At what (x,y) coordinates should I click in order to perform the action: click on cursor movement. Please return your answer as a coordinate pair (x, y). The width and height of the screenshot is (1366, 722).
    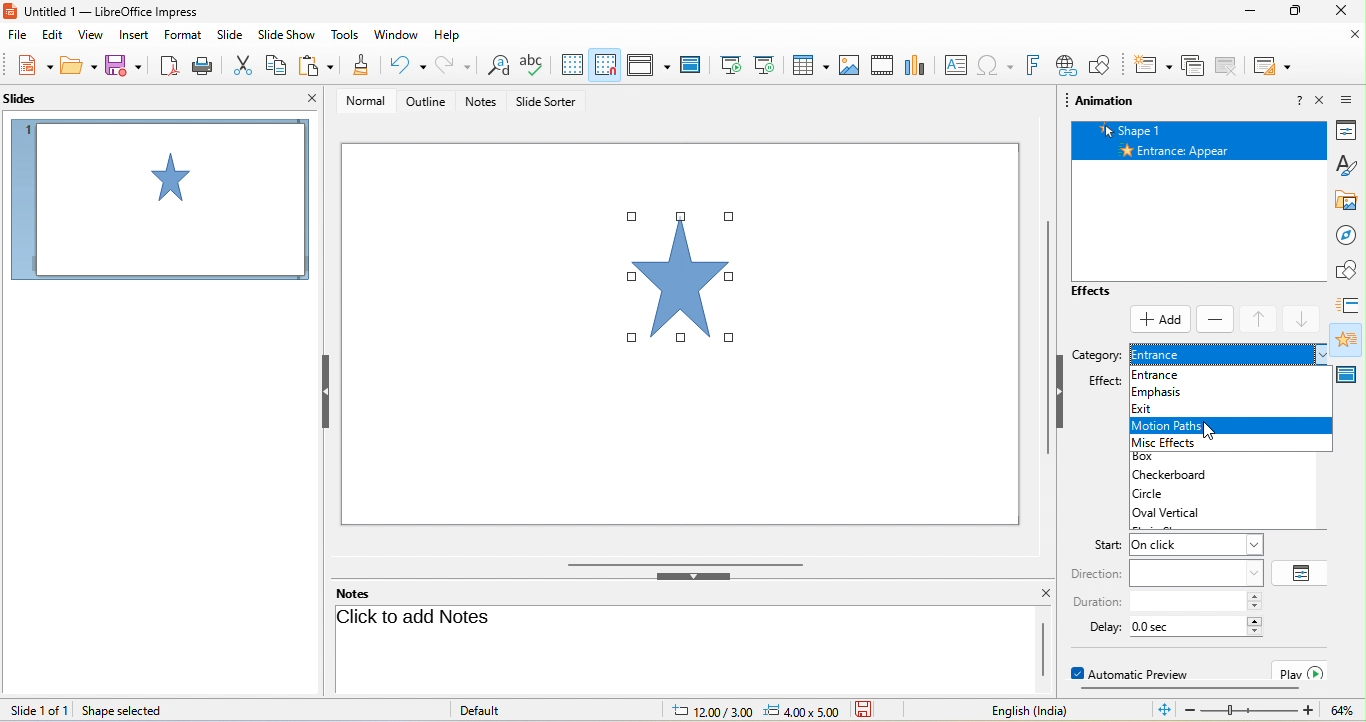
    Looking at the image, I should click on (1205, 432).